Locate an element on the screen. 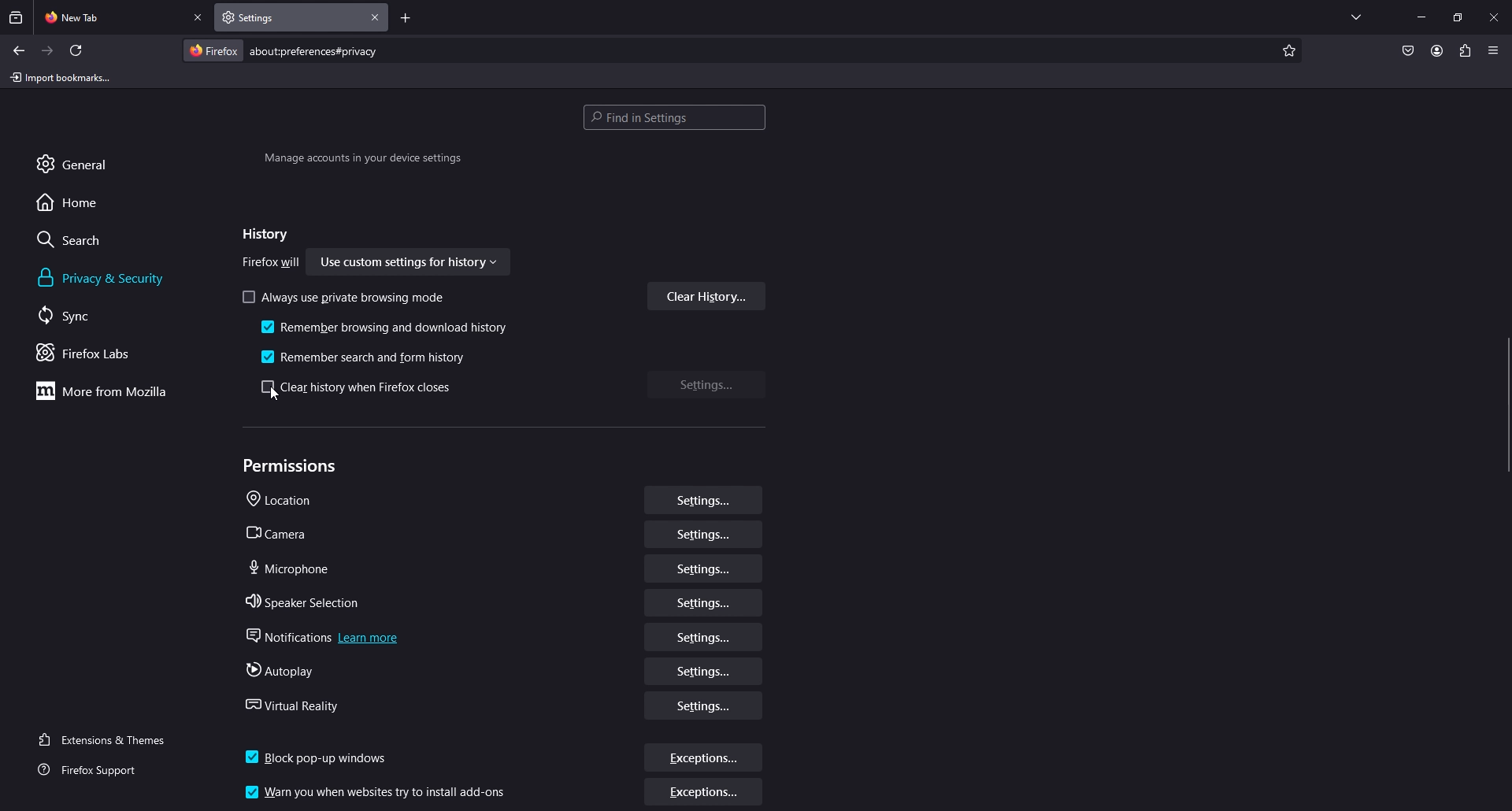 The height and width of the screenshot is (811, 1512). extension is located at coordinates (1466, 50).